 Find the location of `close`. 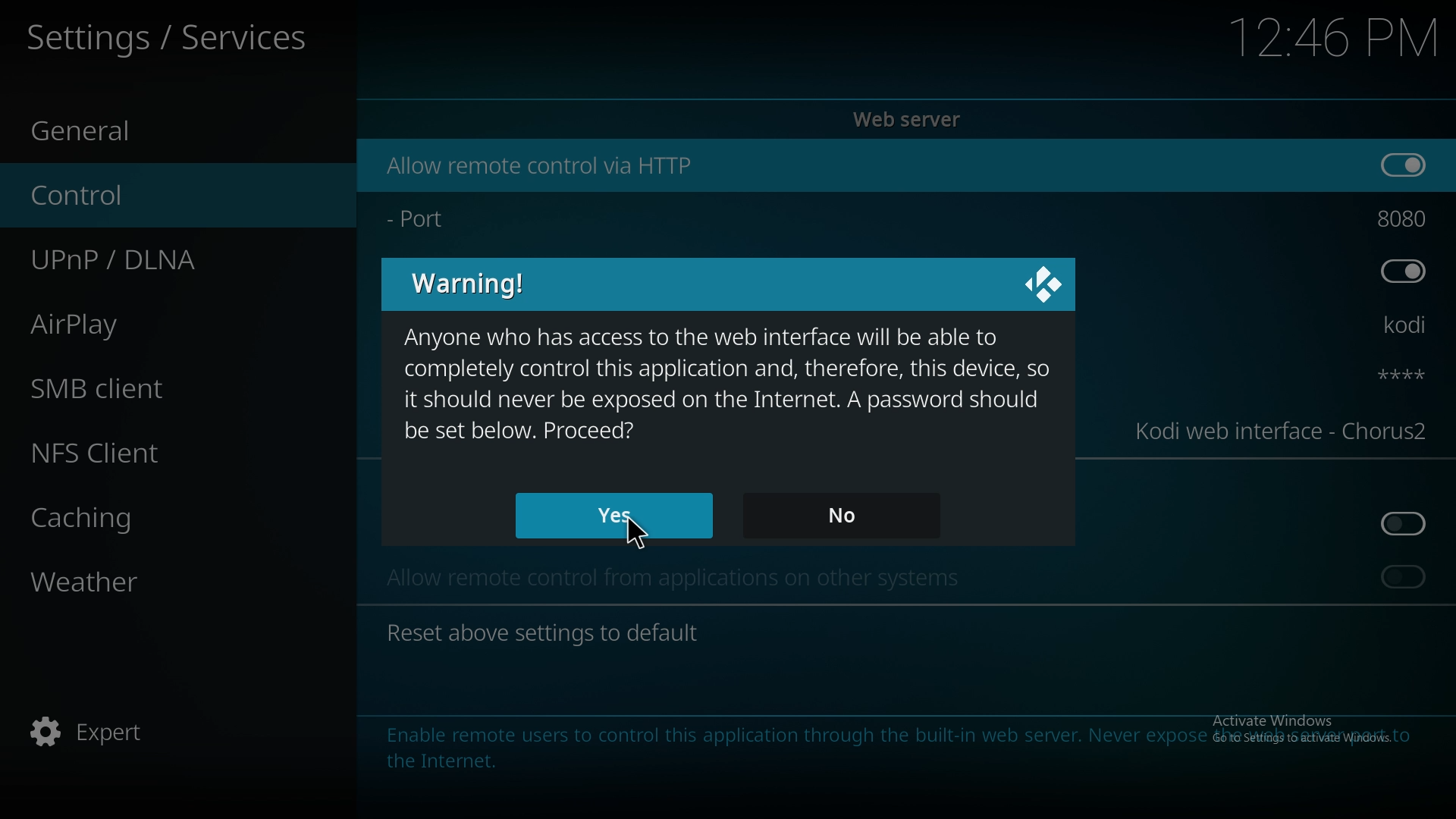

close is located at coordinates (1044, 284).